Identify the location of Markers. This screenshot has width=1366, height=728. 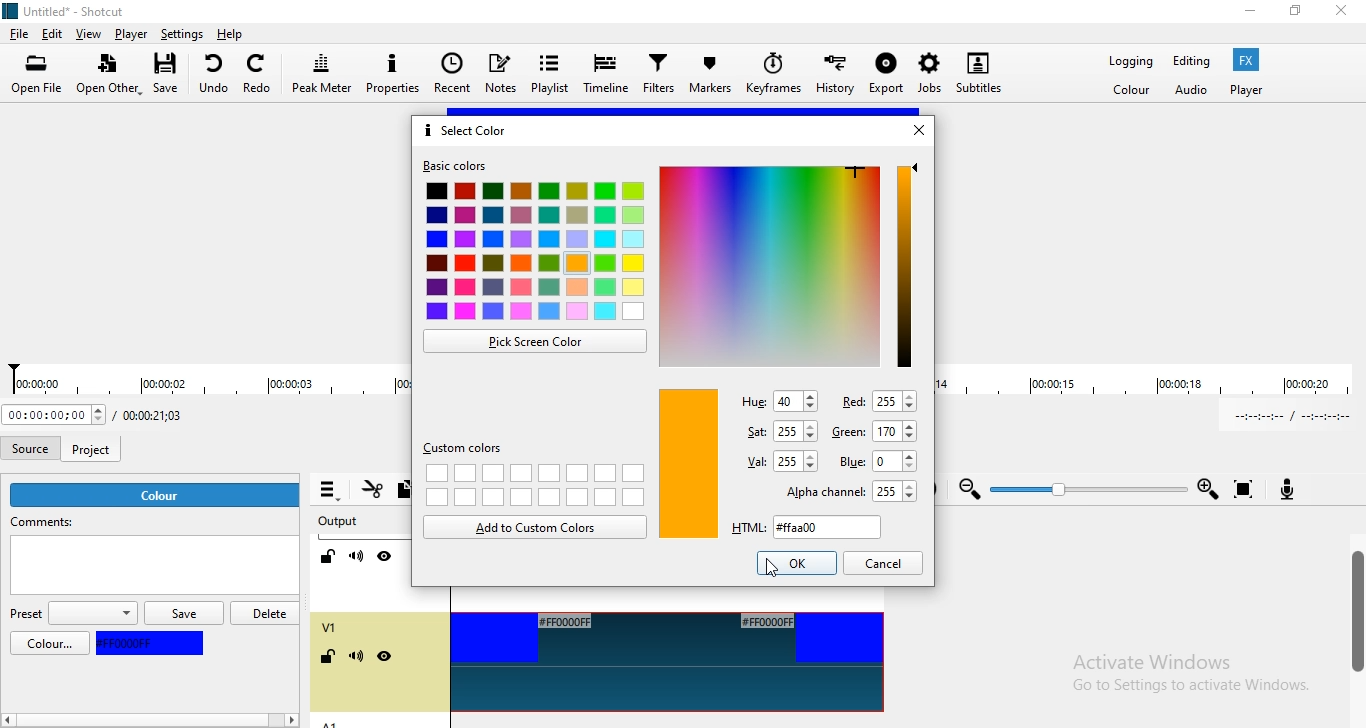
(713, 77).